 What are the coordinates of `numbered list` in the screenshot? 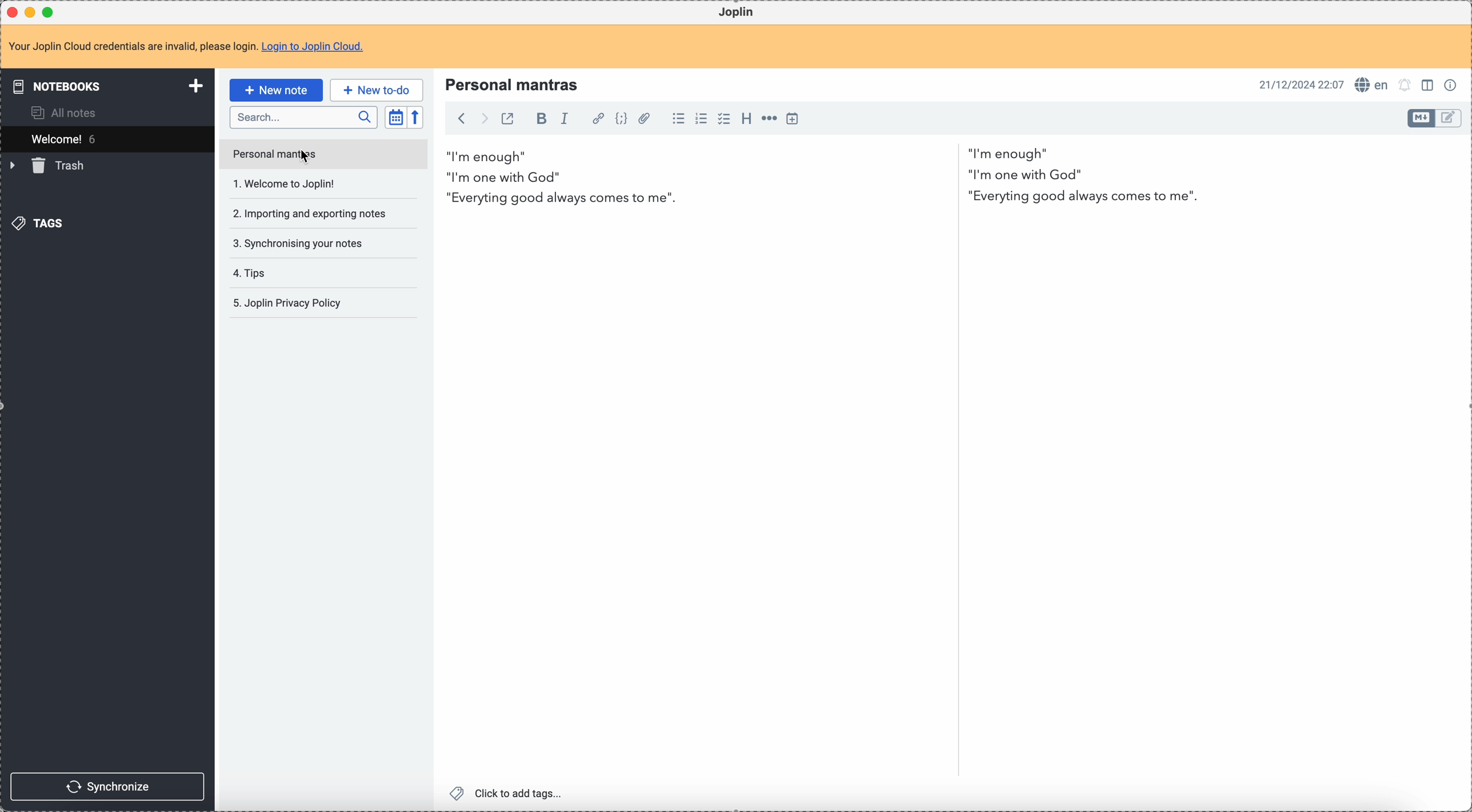 It's located at (701, 119).